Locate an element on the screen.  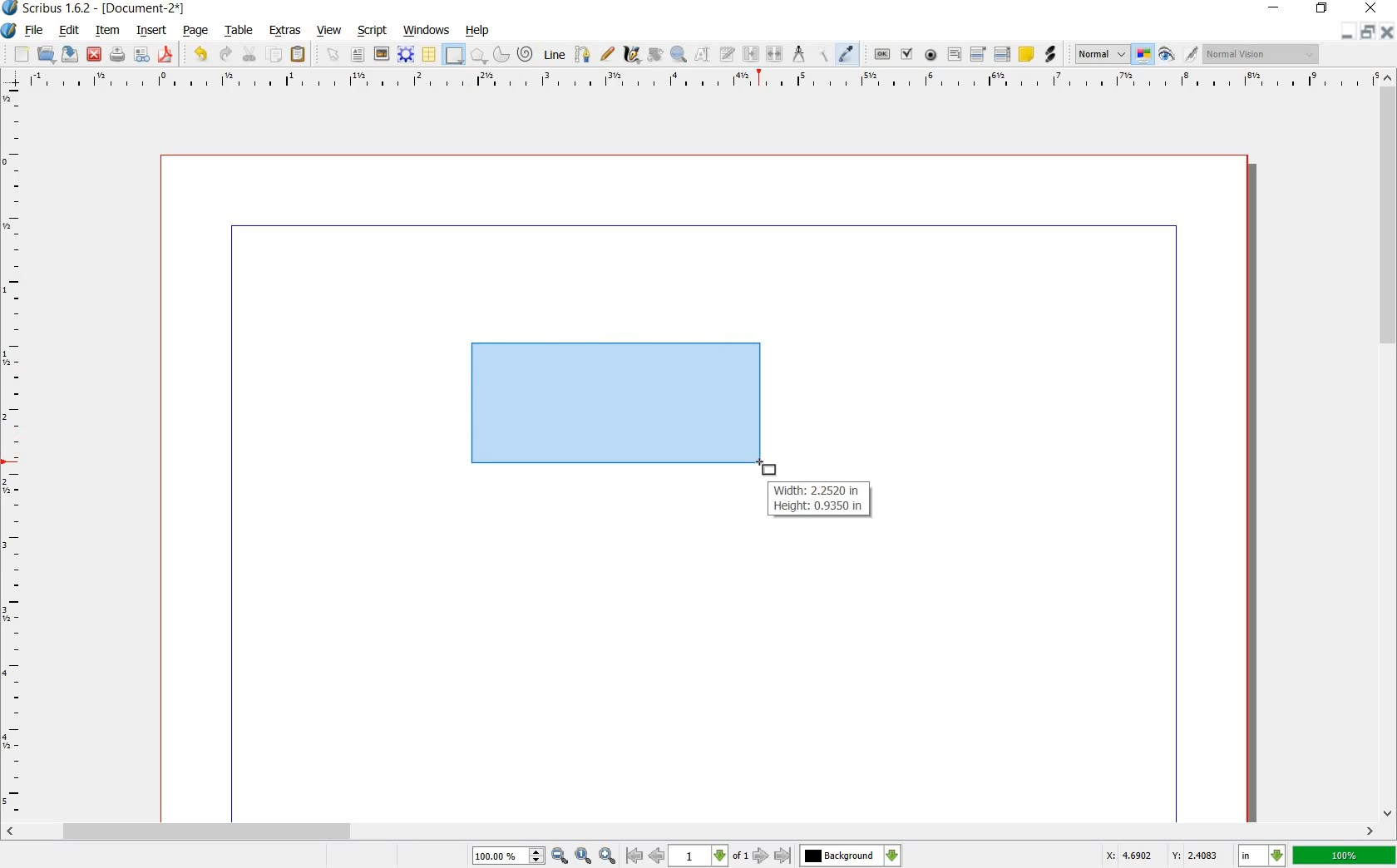
ZOOM IN OR OUT is located at coordinates (680, 52).